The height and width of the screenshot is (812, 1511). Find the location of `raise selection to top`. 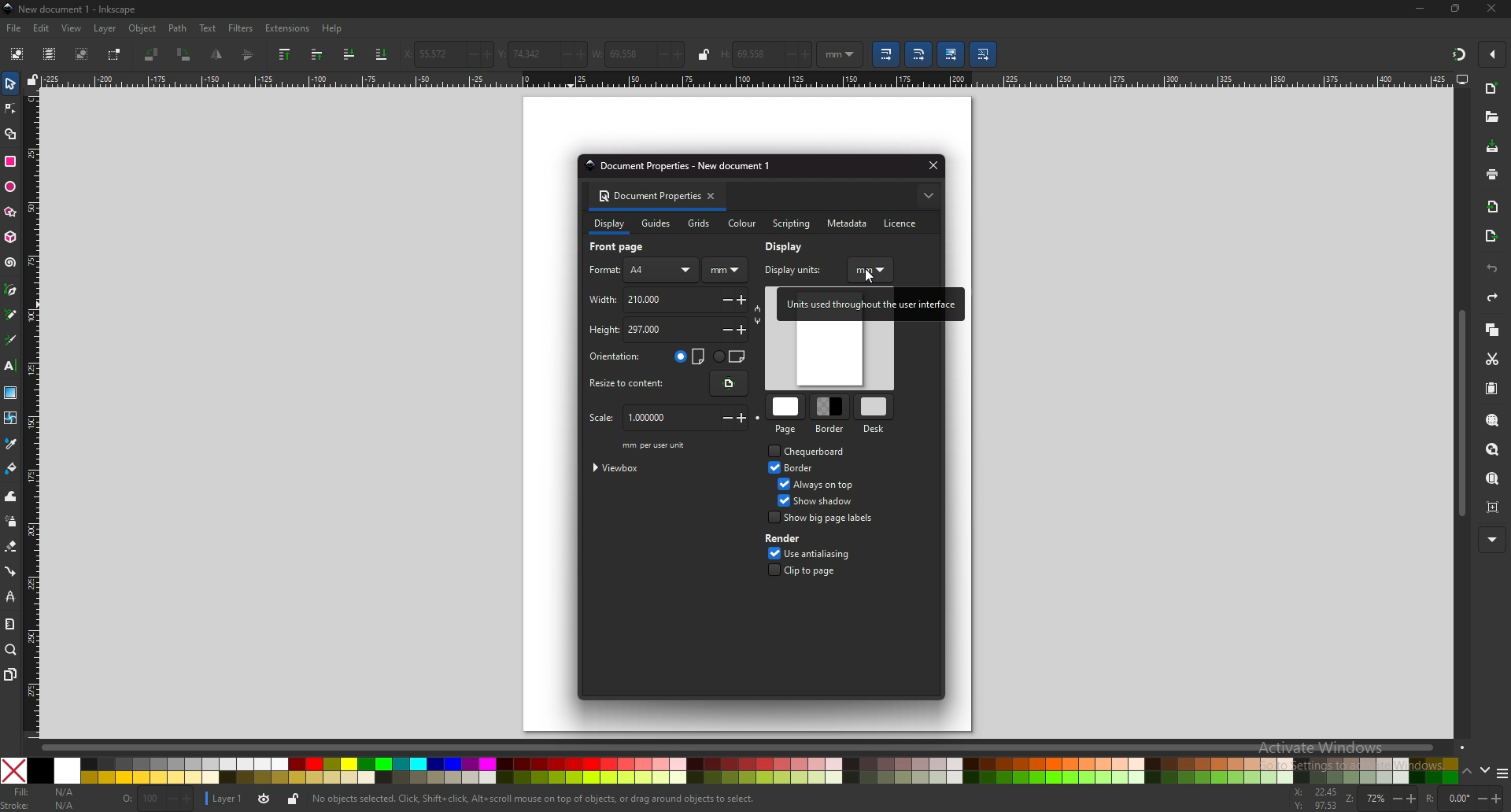

raise selection to top is located at coordinates (285, 54).